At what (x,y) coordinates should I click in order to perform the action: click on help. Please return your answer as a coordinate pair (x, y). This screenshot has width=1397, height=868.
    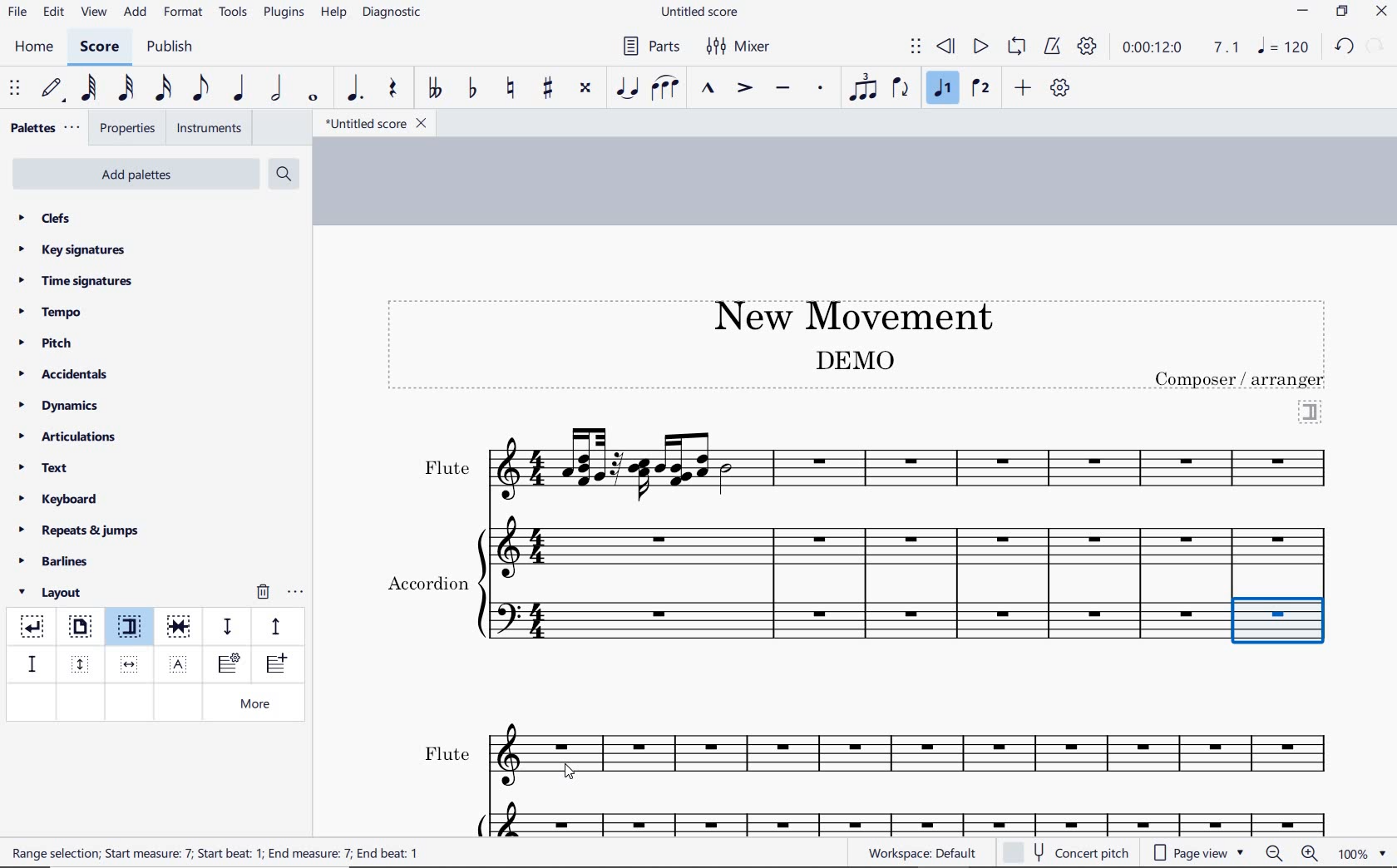
    Looking at the image, I should click on (332, 13).